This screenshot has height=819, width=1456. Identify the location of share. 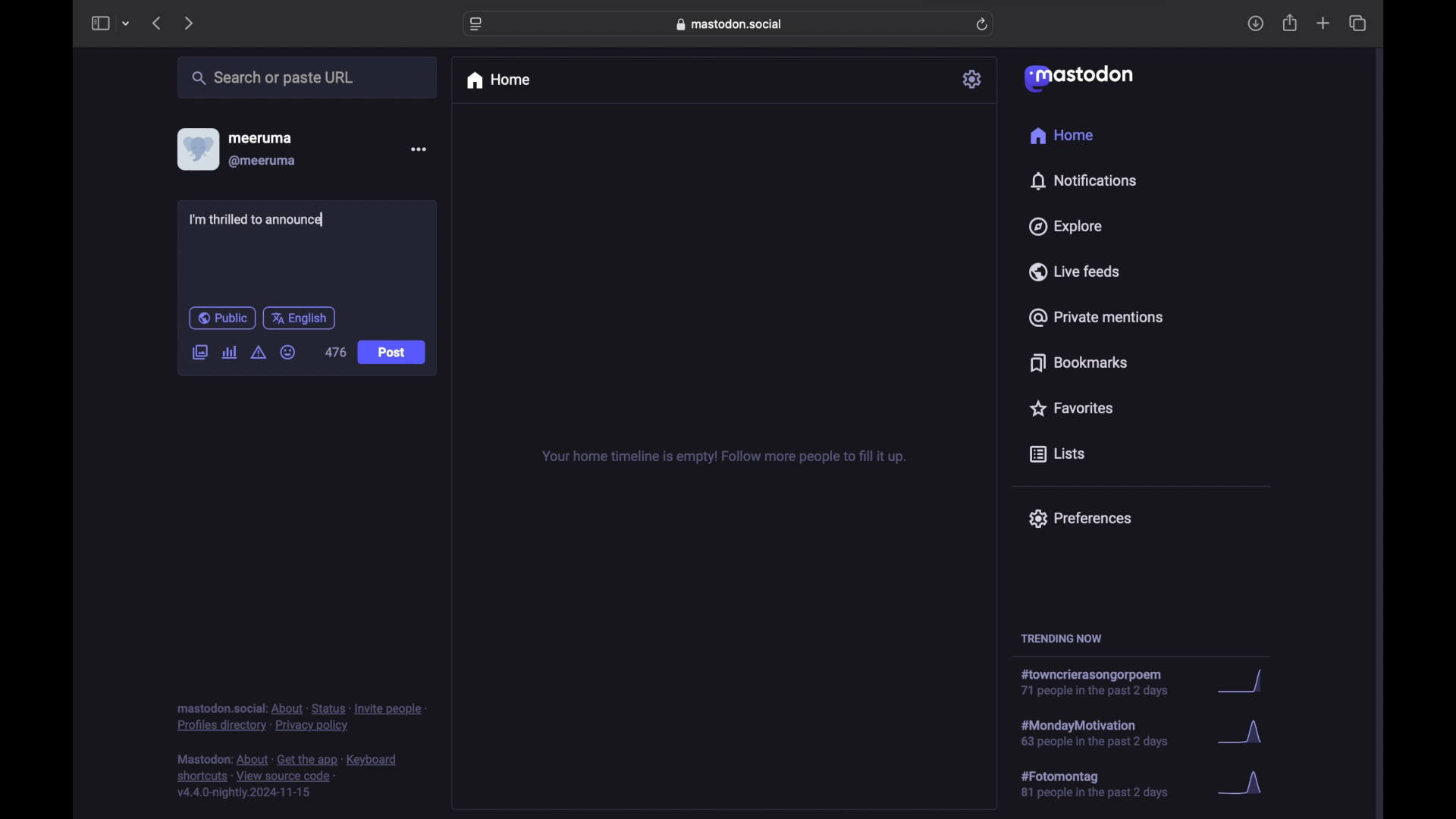
(1291, 23).